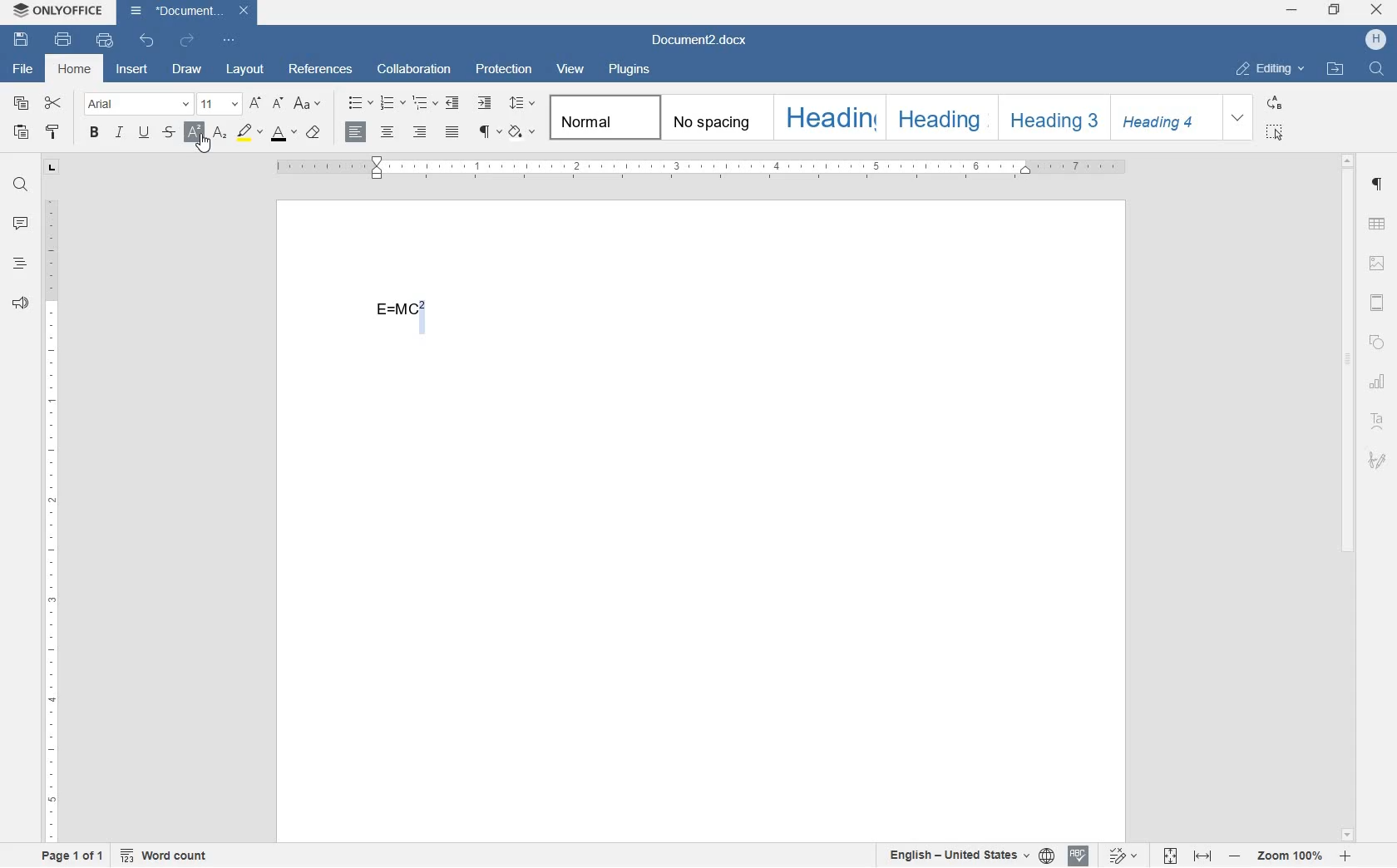  Describe the element at coordinates (19, 264) in the screenshot. I see `headings` at that location.